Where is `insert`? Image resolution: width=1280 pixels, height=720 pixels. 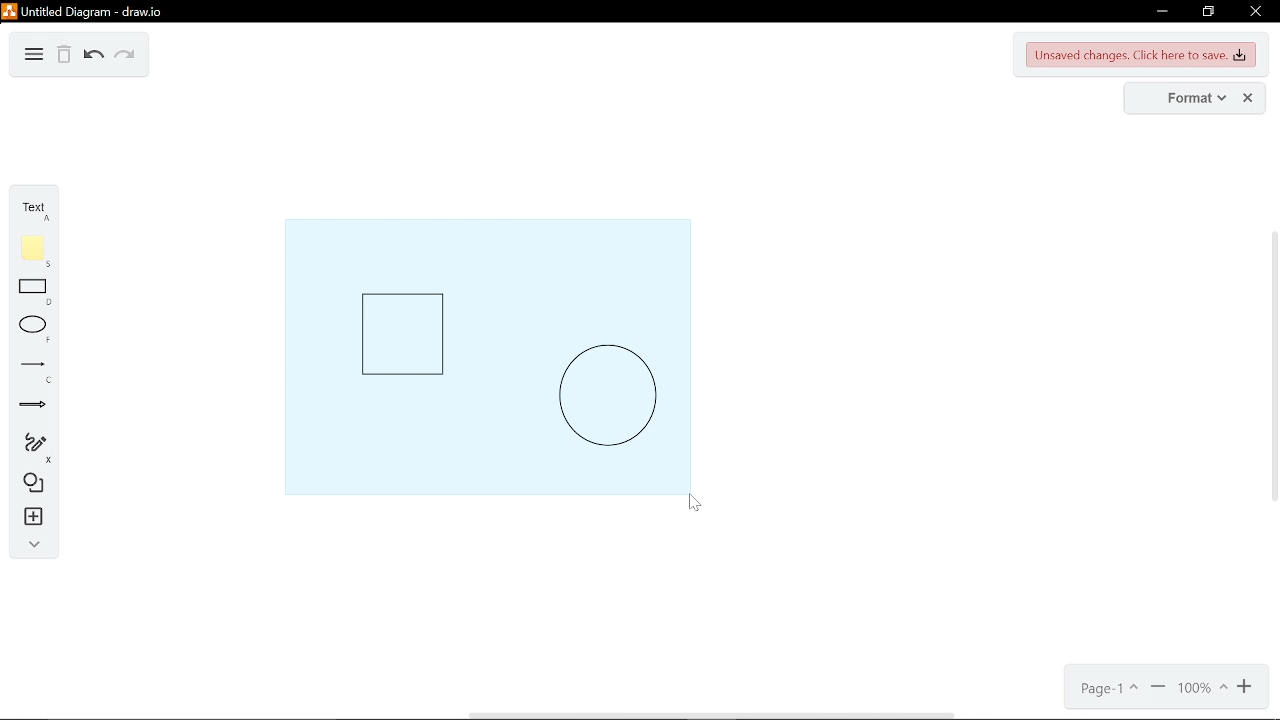 insert is located at coordinates (28, 518).